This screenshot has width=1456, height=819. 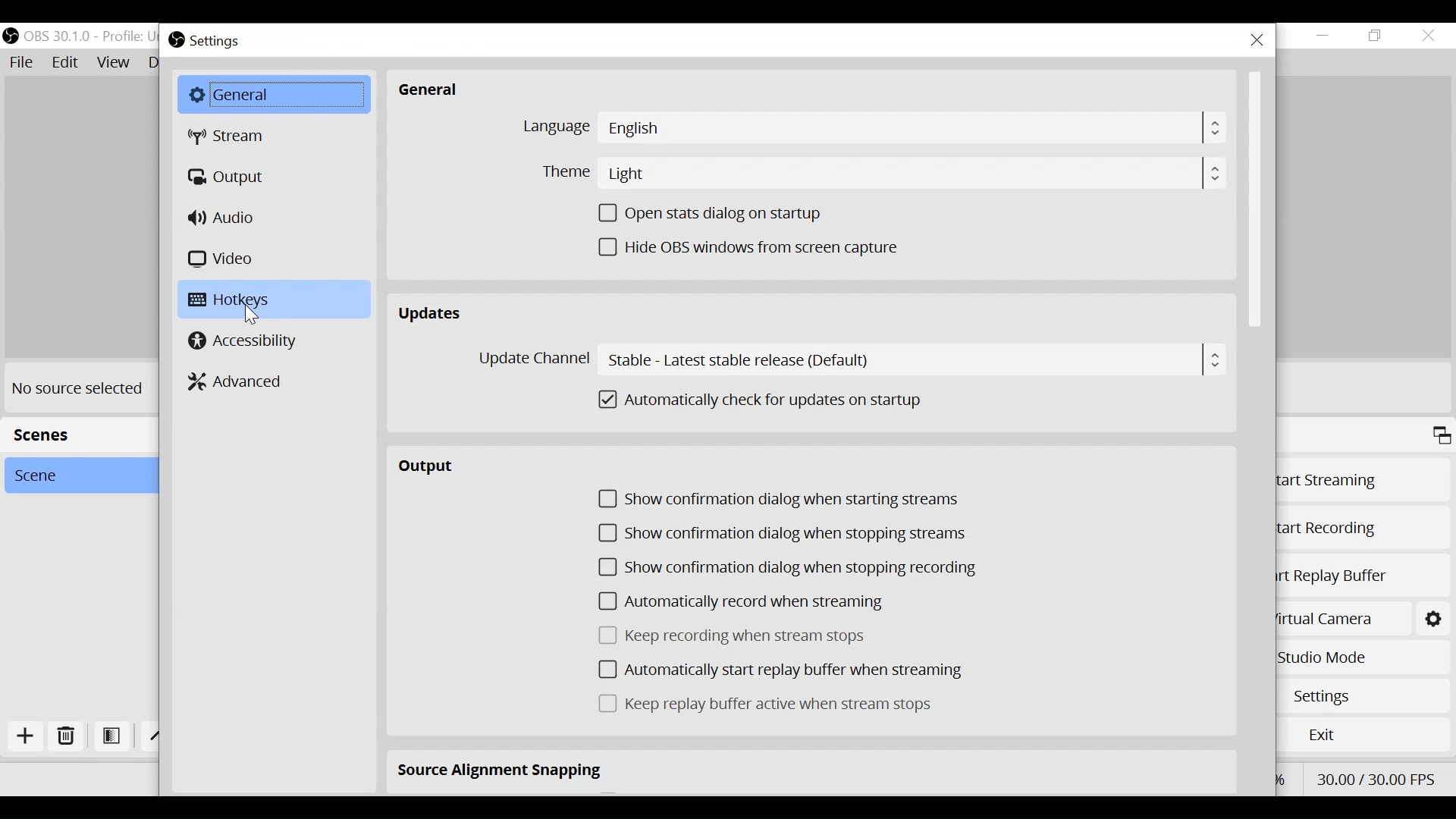 I want to click on (un)check Hide OBS Window screen capture, so click(x=752, y=248).